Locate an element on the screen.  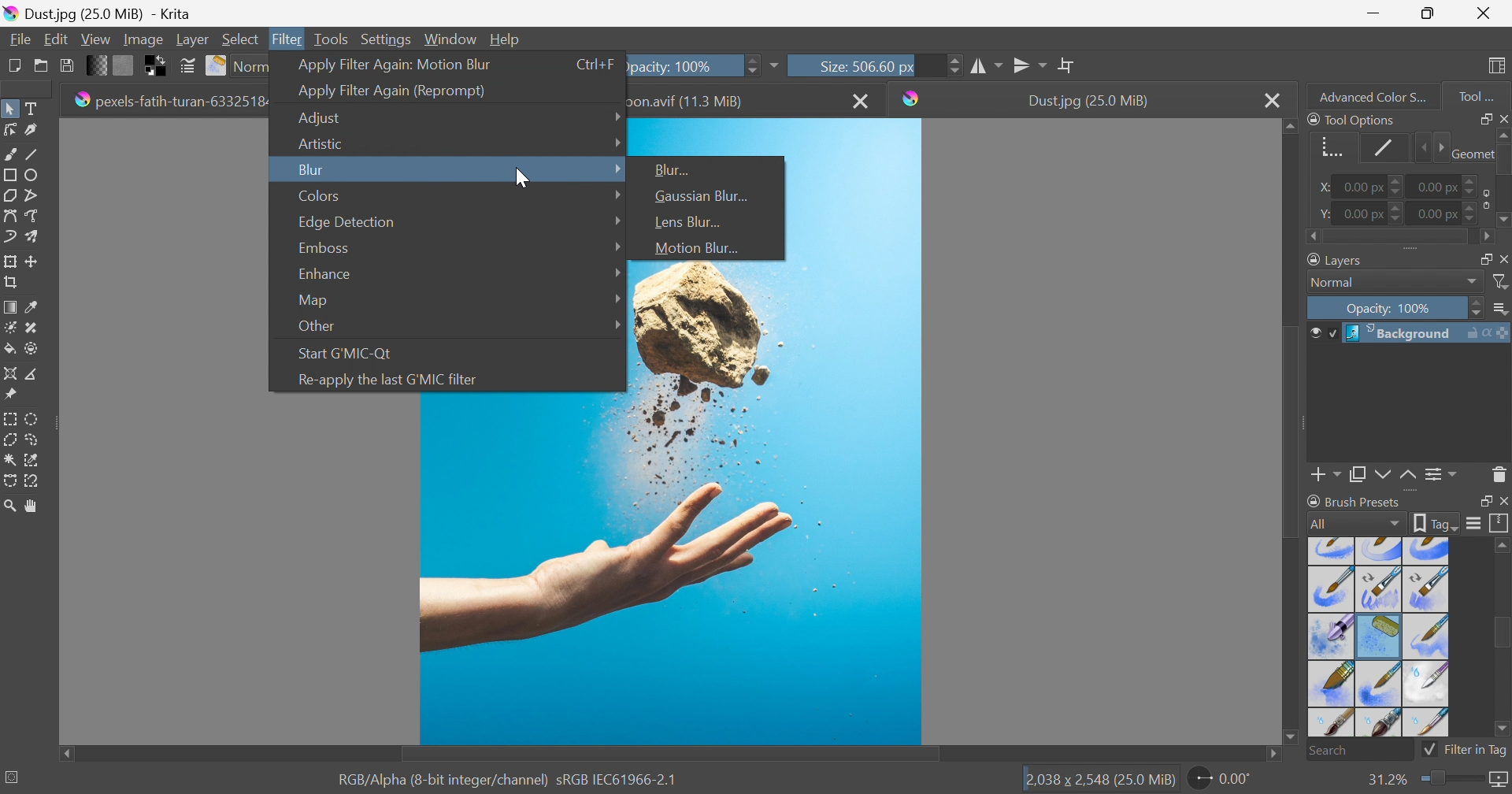
Vertical mirror tool is located at coordinates (988, 64).